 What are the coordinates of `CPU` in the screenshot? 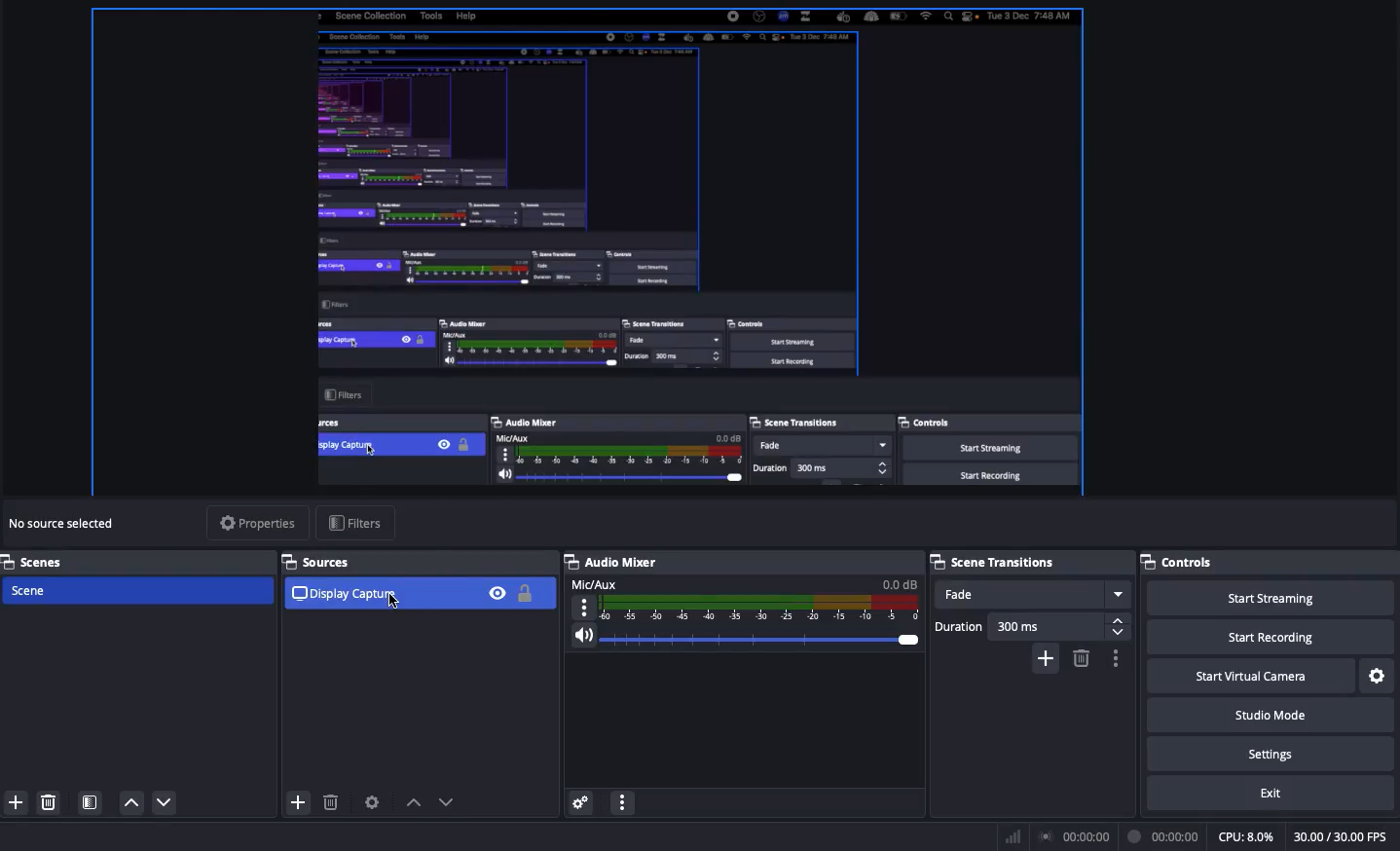 It's located at (1248, 837).